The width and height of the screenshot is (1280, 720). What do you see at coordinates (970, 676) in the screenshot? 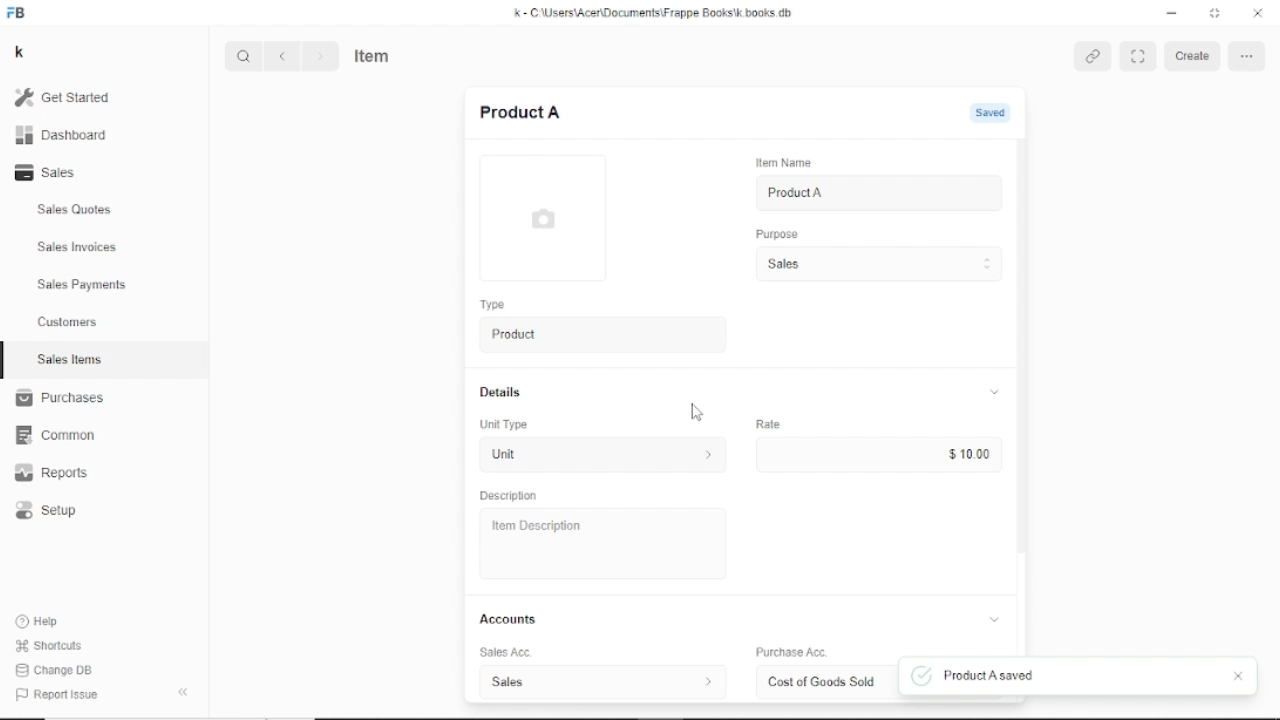
I see `Product A saved` at bounding box center [970, 676].